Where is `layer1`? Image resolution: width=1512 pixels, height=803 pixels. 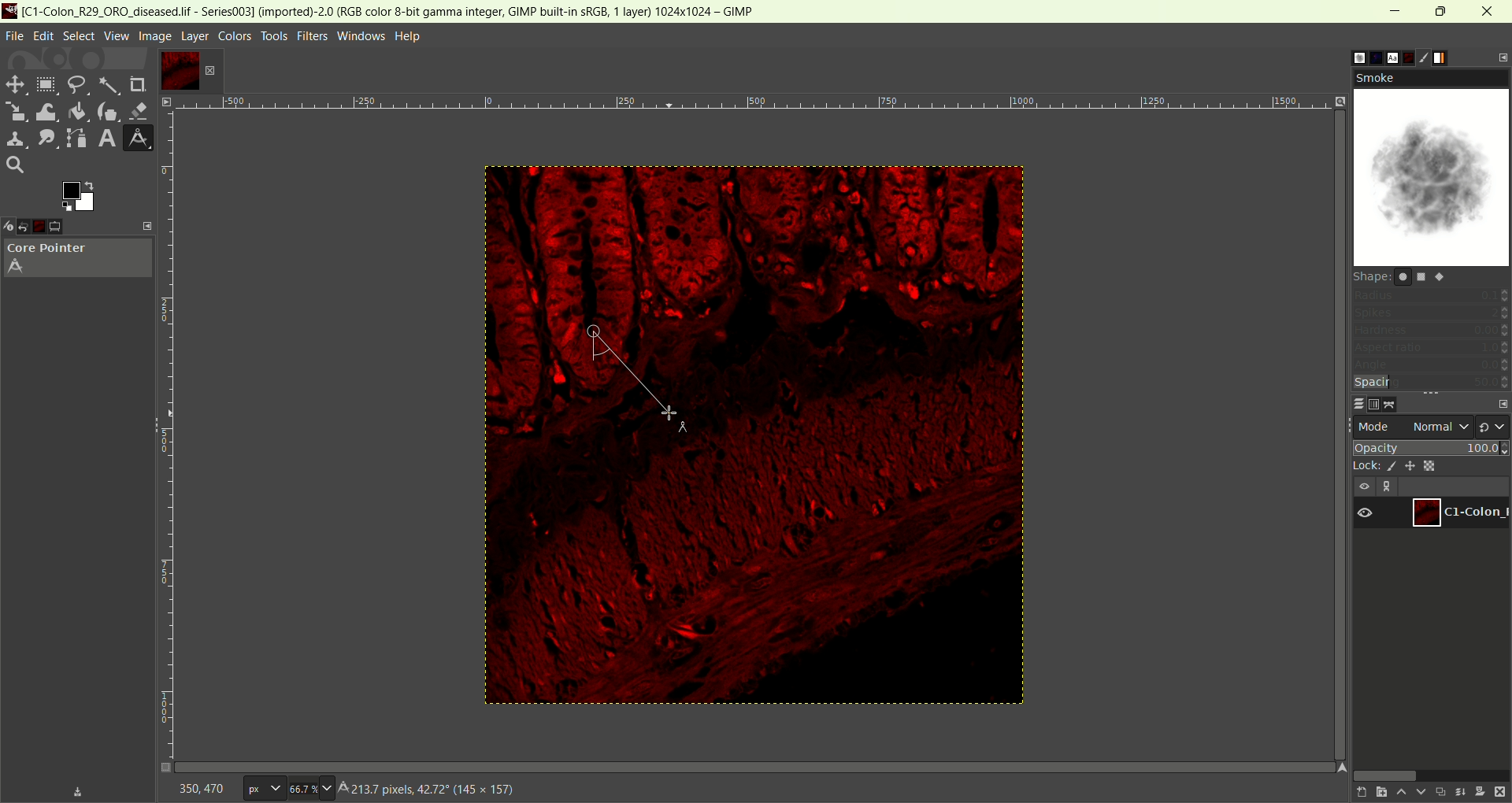
layer1 is located at coordinates (176, 70).